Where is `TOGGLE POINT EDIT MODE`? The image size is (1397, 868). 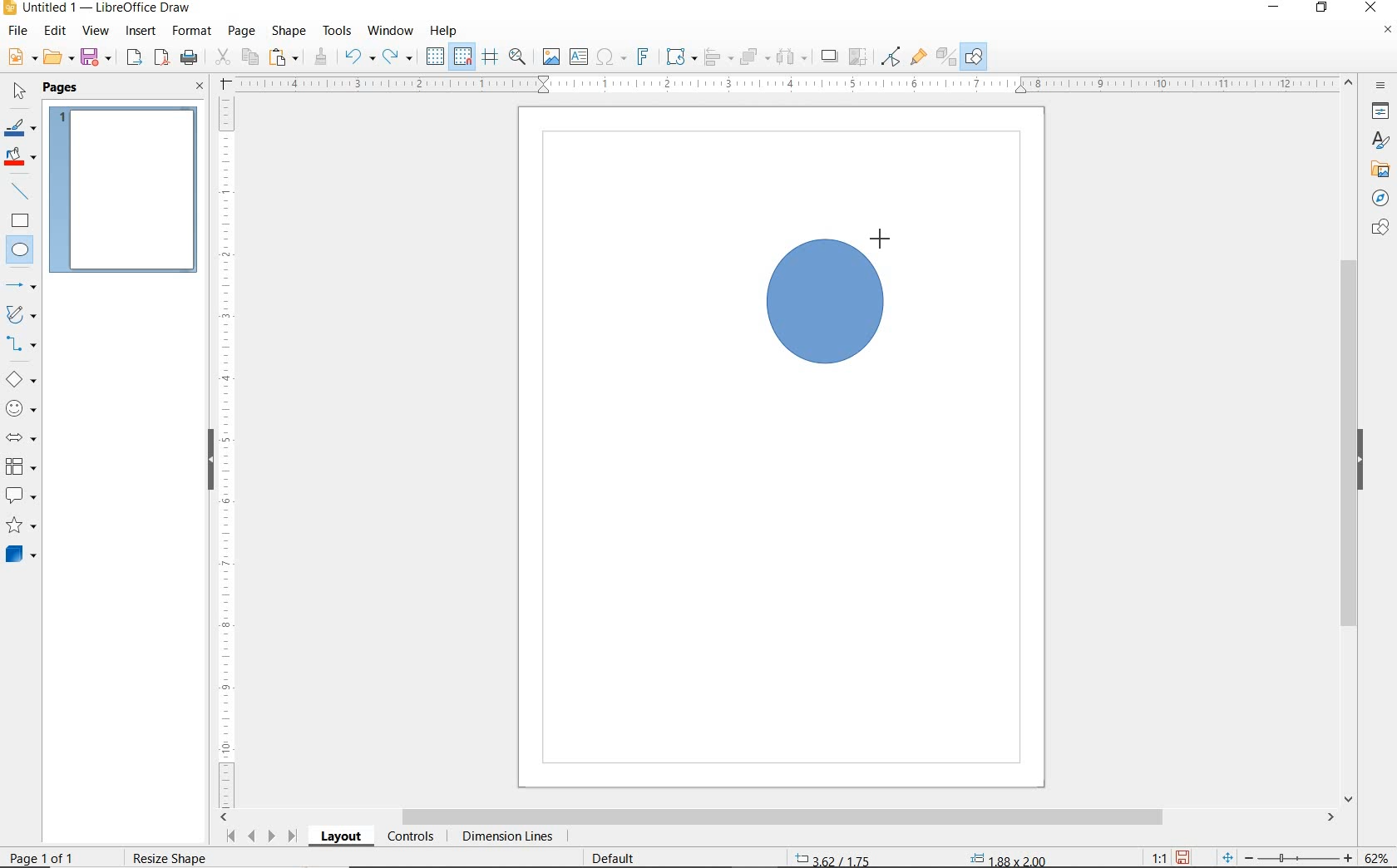 TOGGLE POINT EDIT MODE is located at coordinates (891, 57).